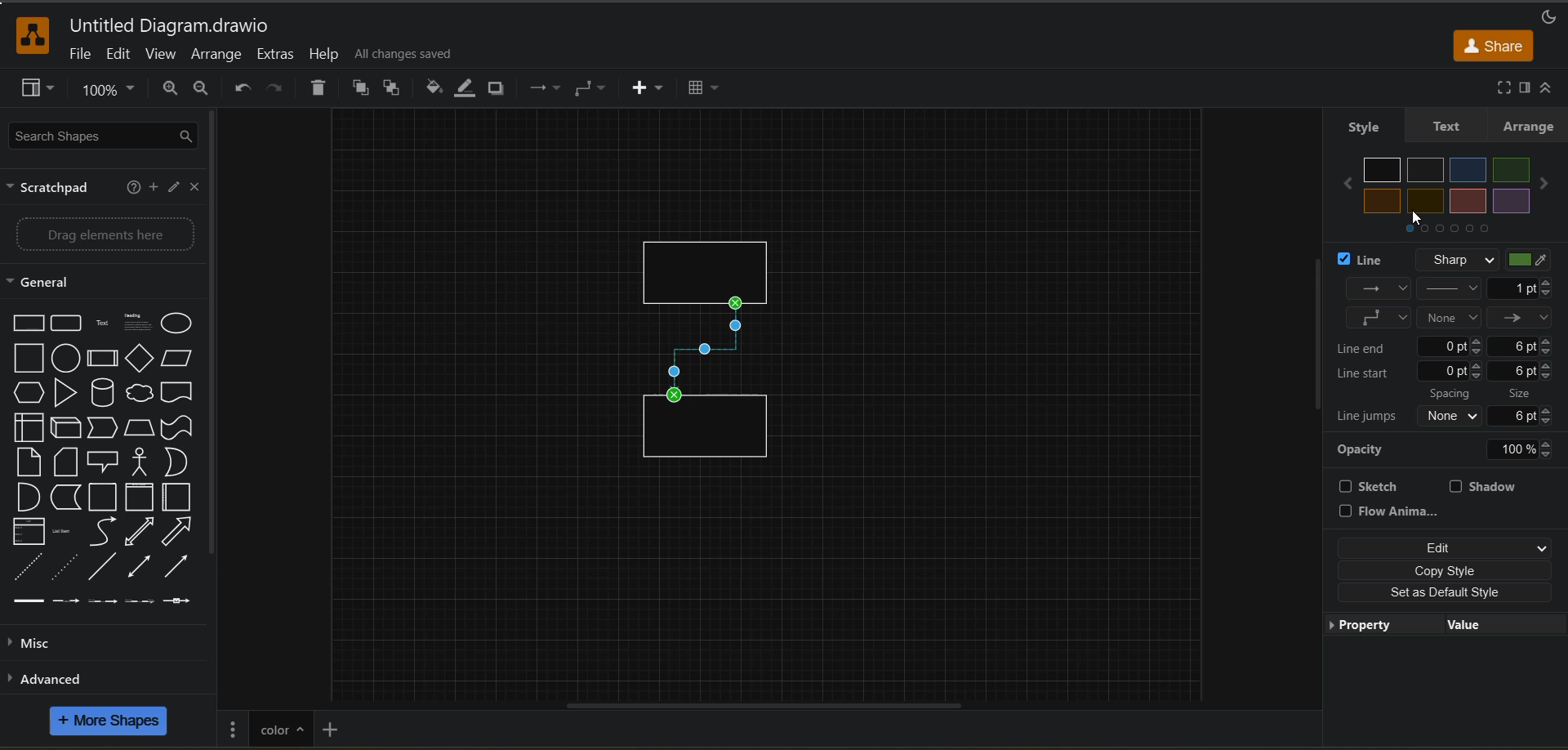 This screenshot has width=1568, height=750. I want to click on zoom, so click(112, 93).